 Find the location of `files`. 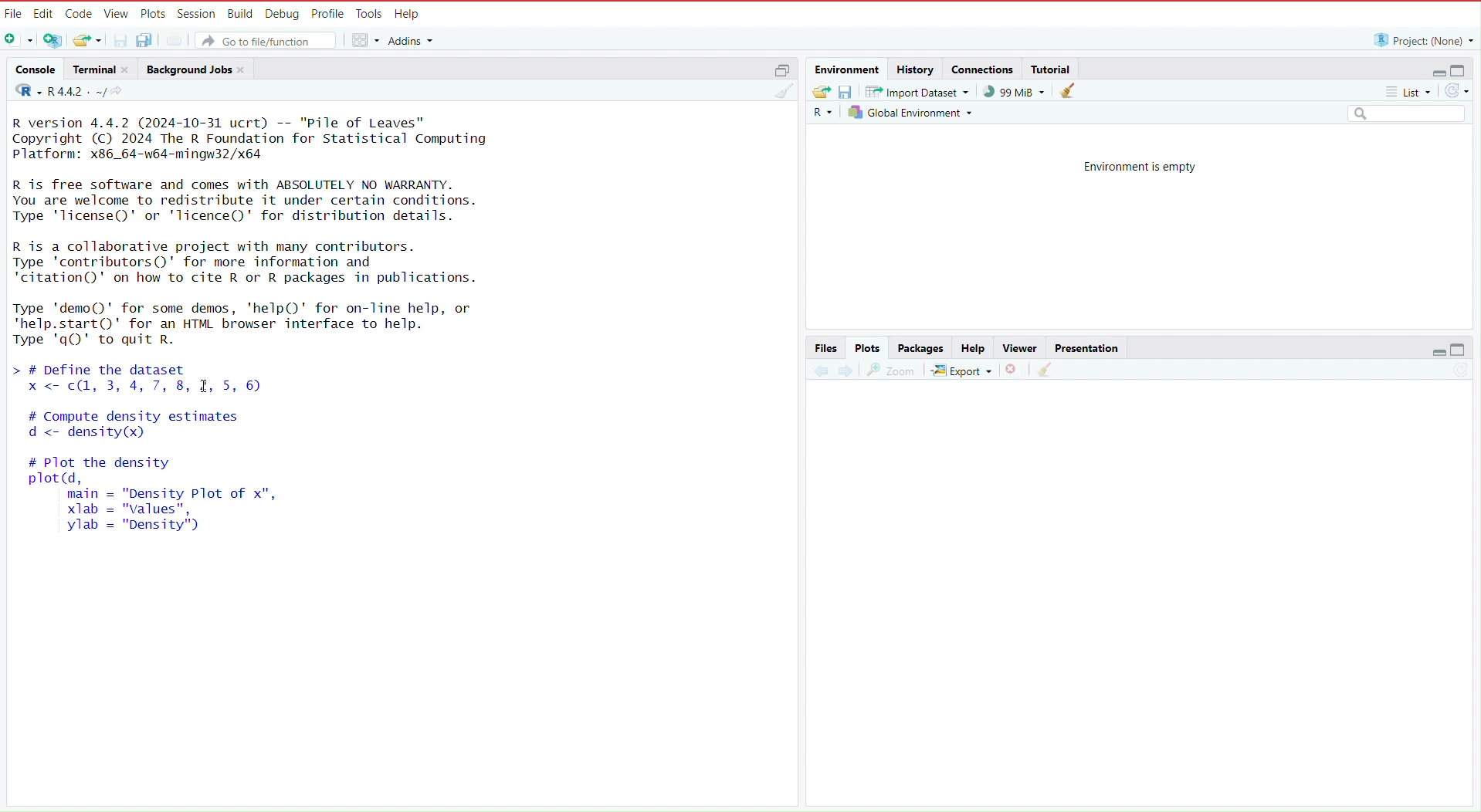

files is located at coordinates (826, 347).